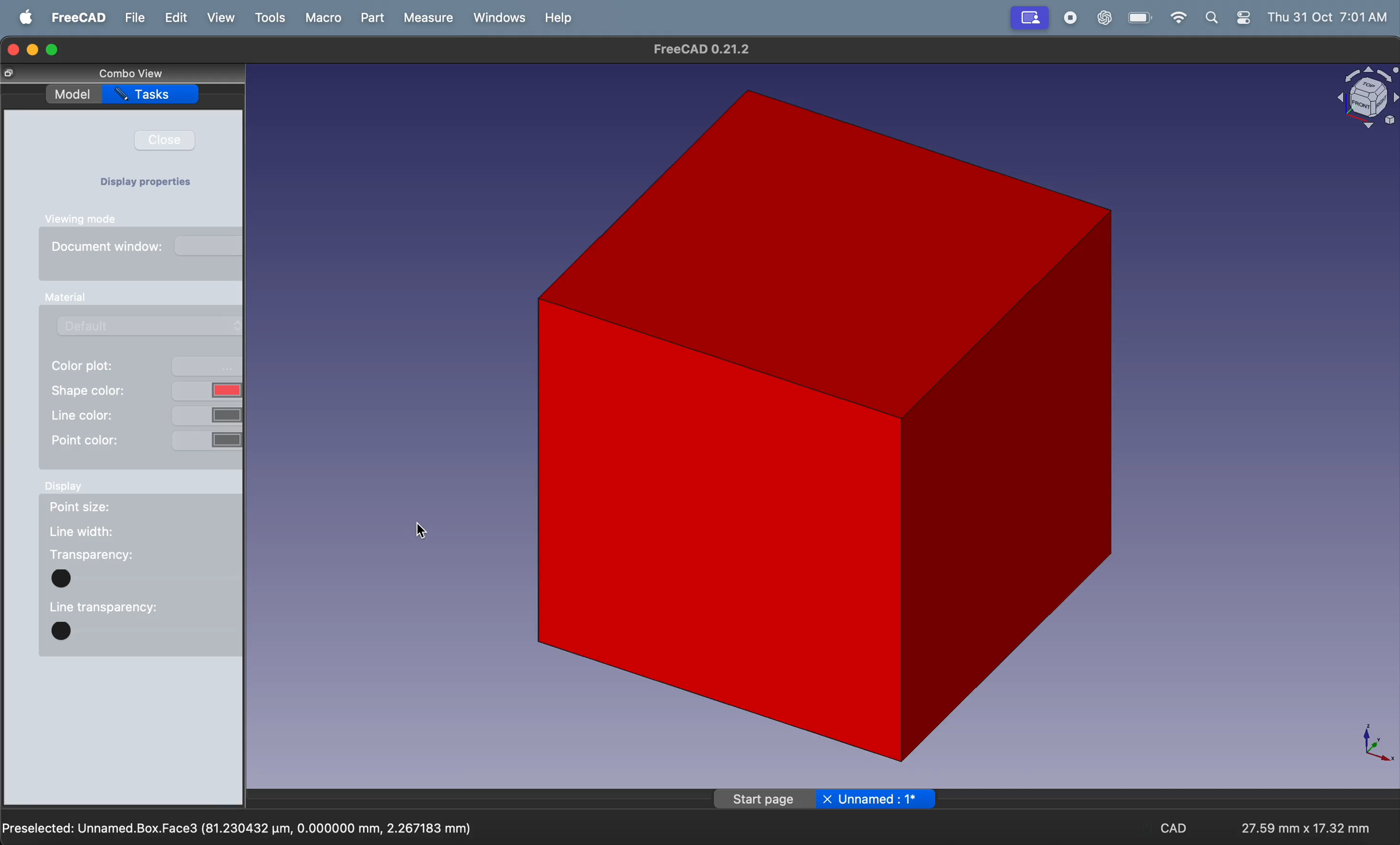  I want to click on tools, so click(272, 18).